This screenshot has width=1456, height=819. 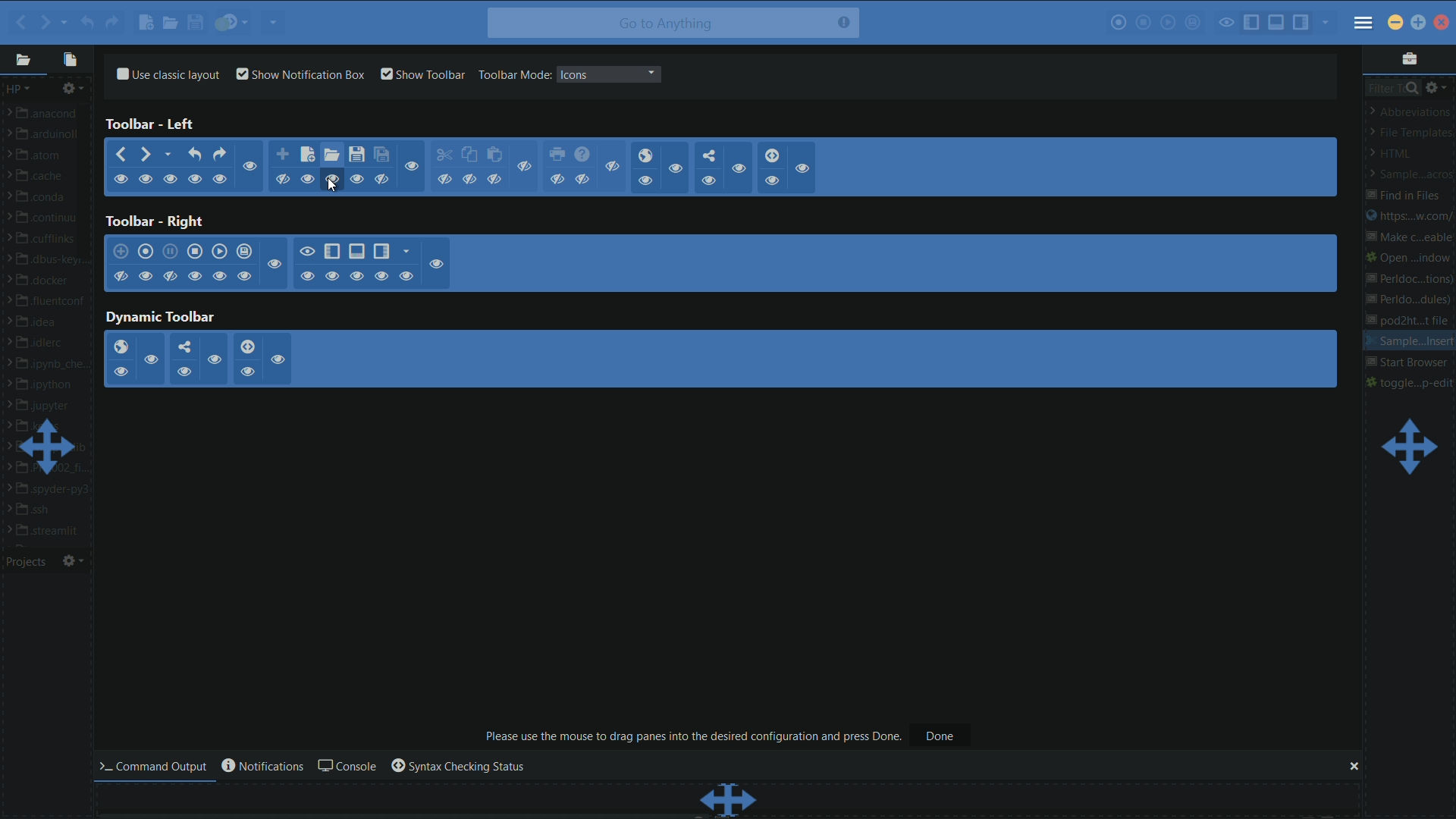 What do you see at coordinates (43, 510) in the screenshot?
I see `.SSH` at bounding box center [43, 510].